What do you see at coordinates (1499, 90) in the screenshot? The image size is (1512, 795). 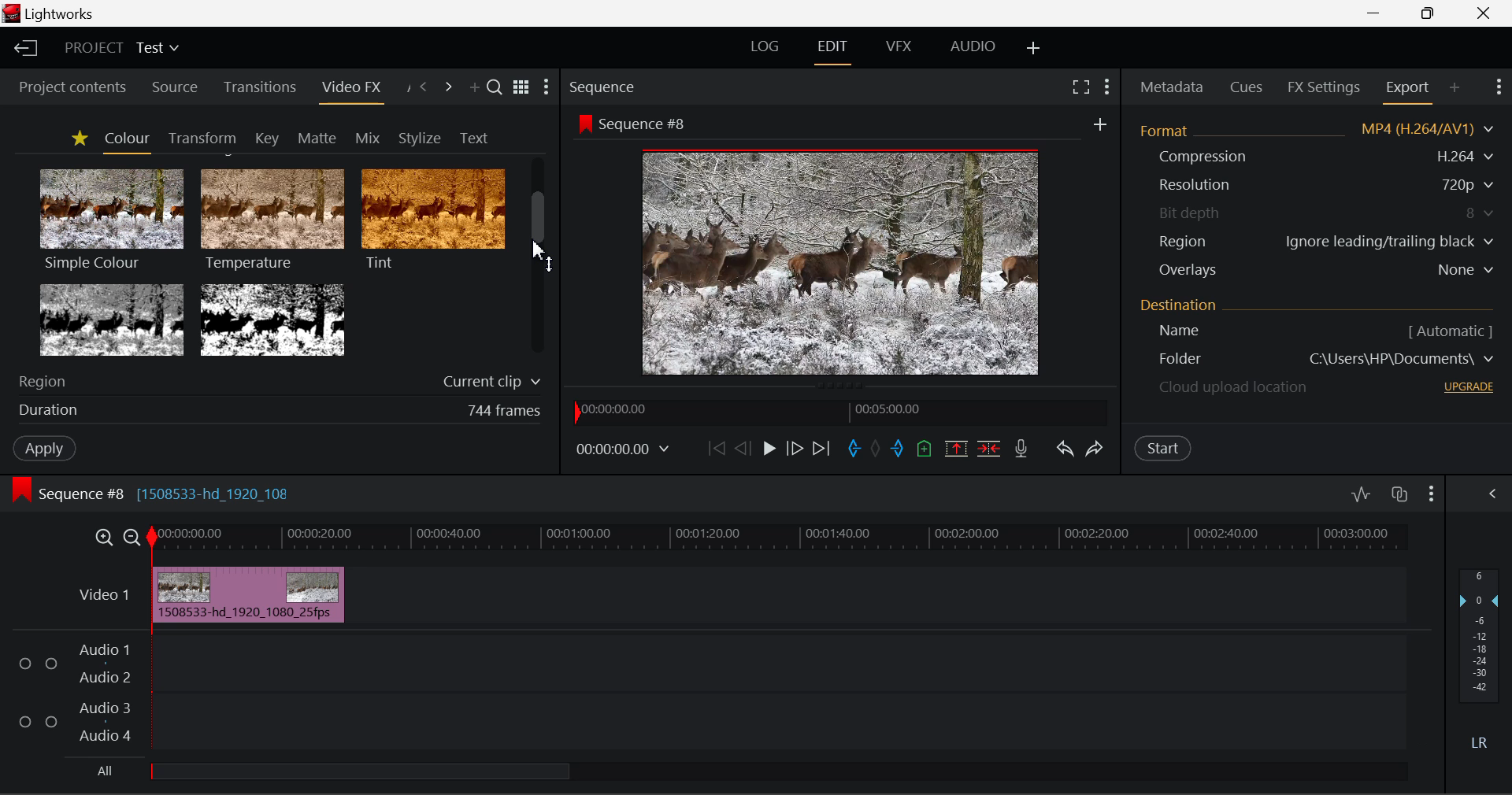 I see `Show Settings` at bounding box center [1499, 90].